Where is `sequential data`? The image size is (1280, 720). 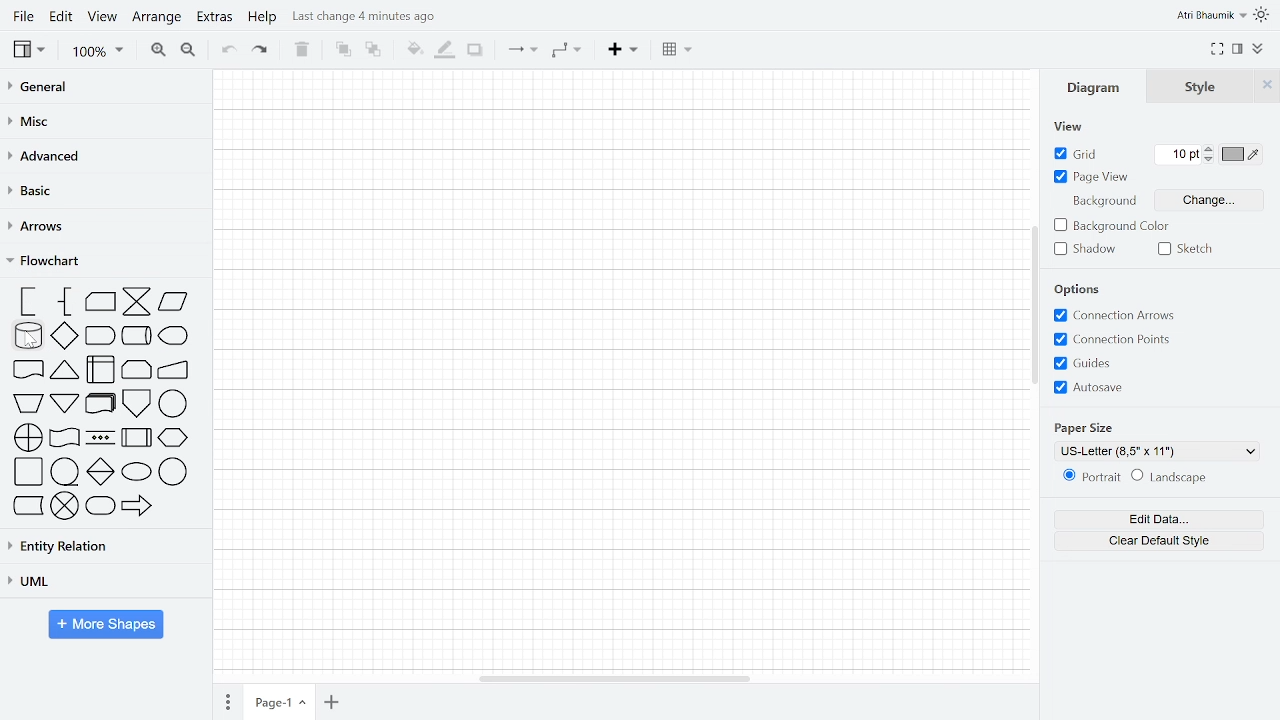 sequential data is located at coordinates (65, 472).